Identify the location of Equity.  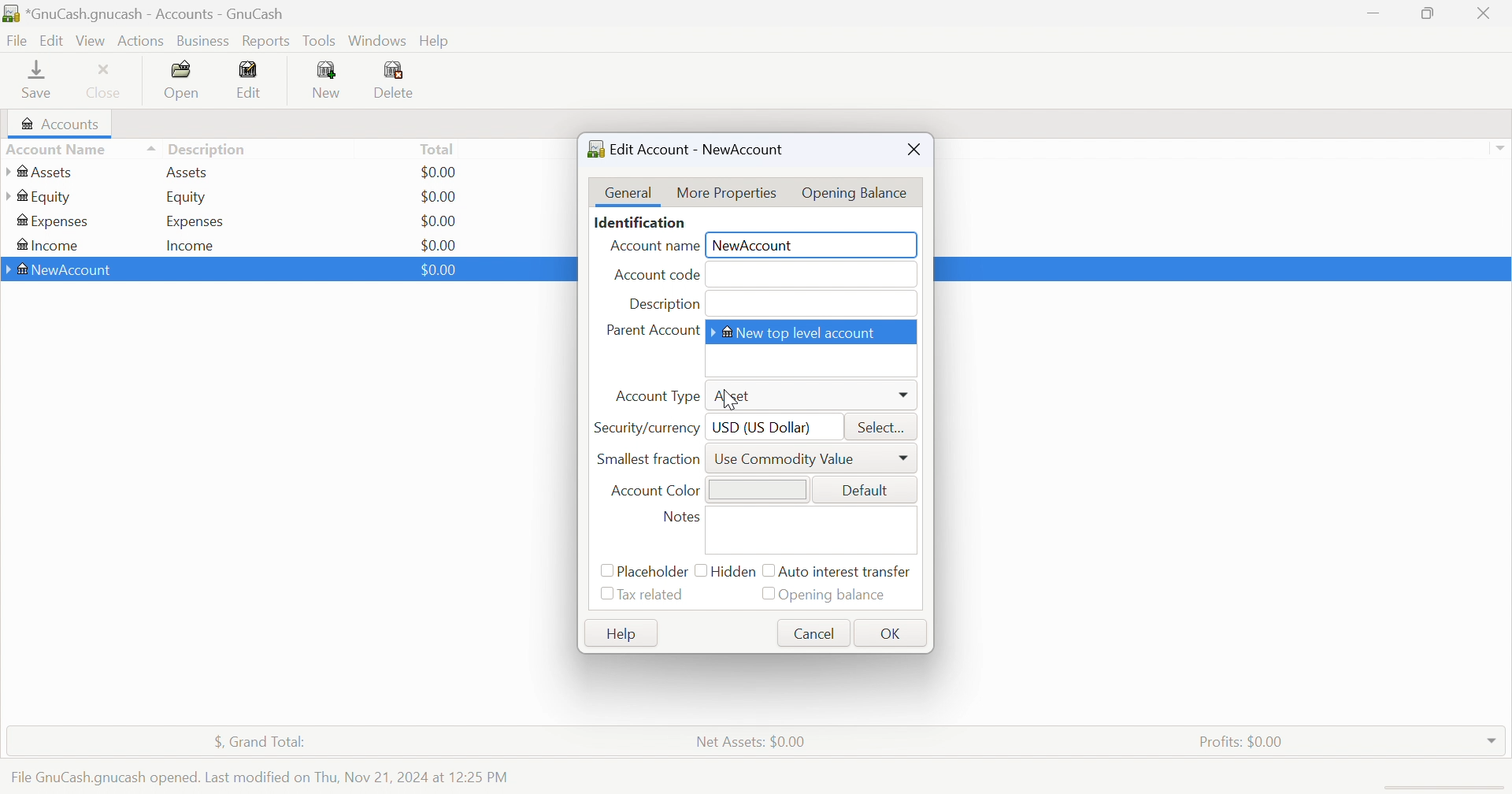
(188, 197).